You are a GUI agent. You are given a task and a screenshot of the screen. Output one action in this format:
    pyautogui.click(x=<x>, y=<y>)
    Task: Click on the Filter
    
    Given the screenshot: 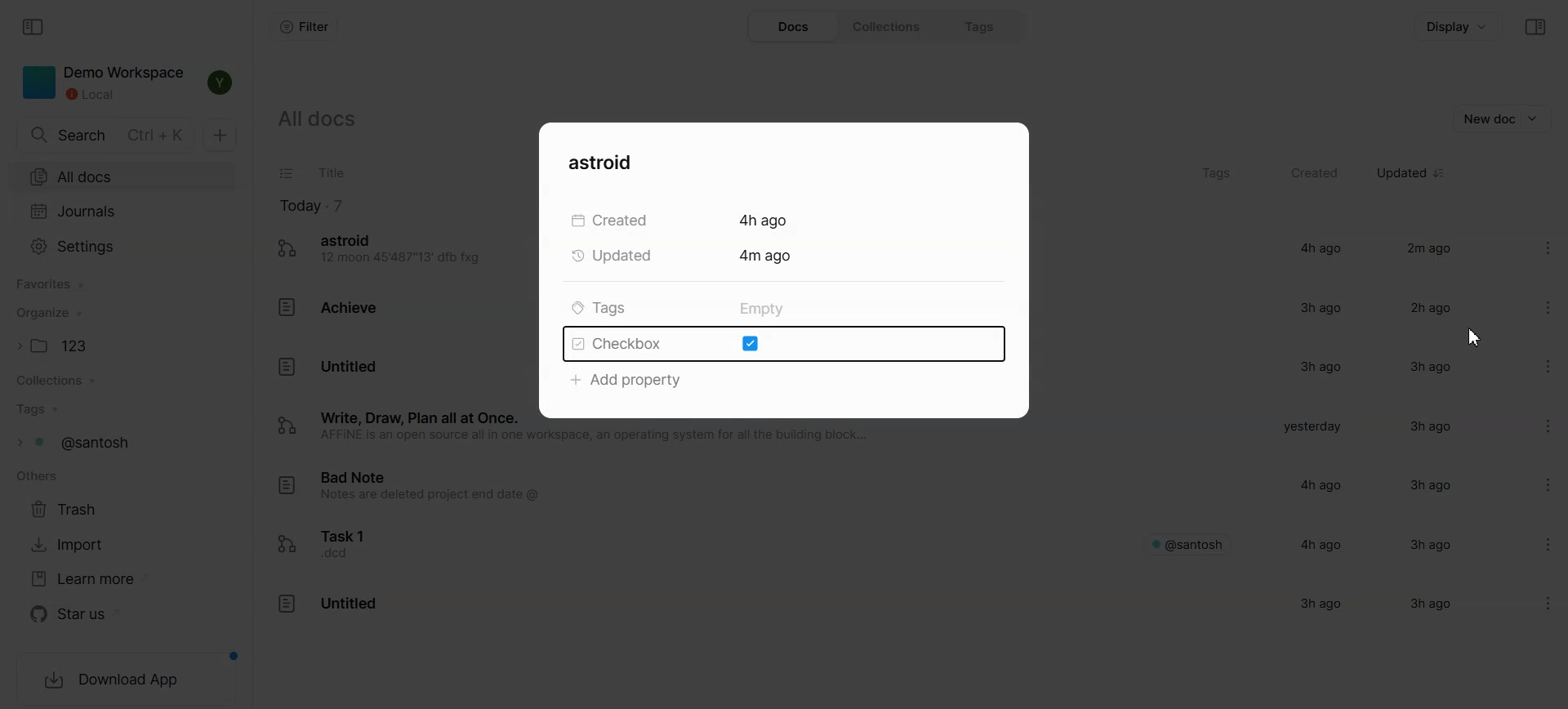 What is the action you would take?
    pyautogui.click(x=303, y=27)
    